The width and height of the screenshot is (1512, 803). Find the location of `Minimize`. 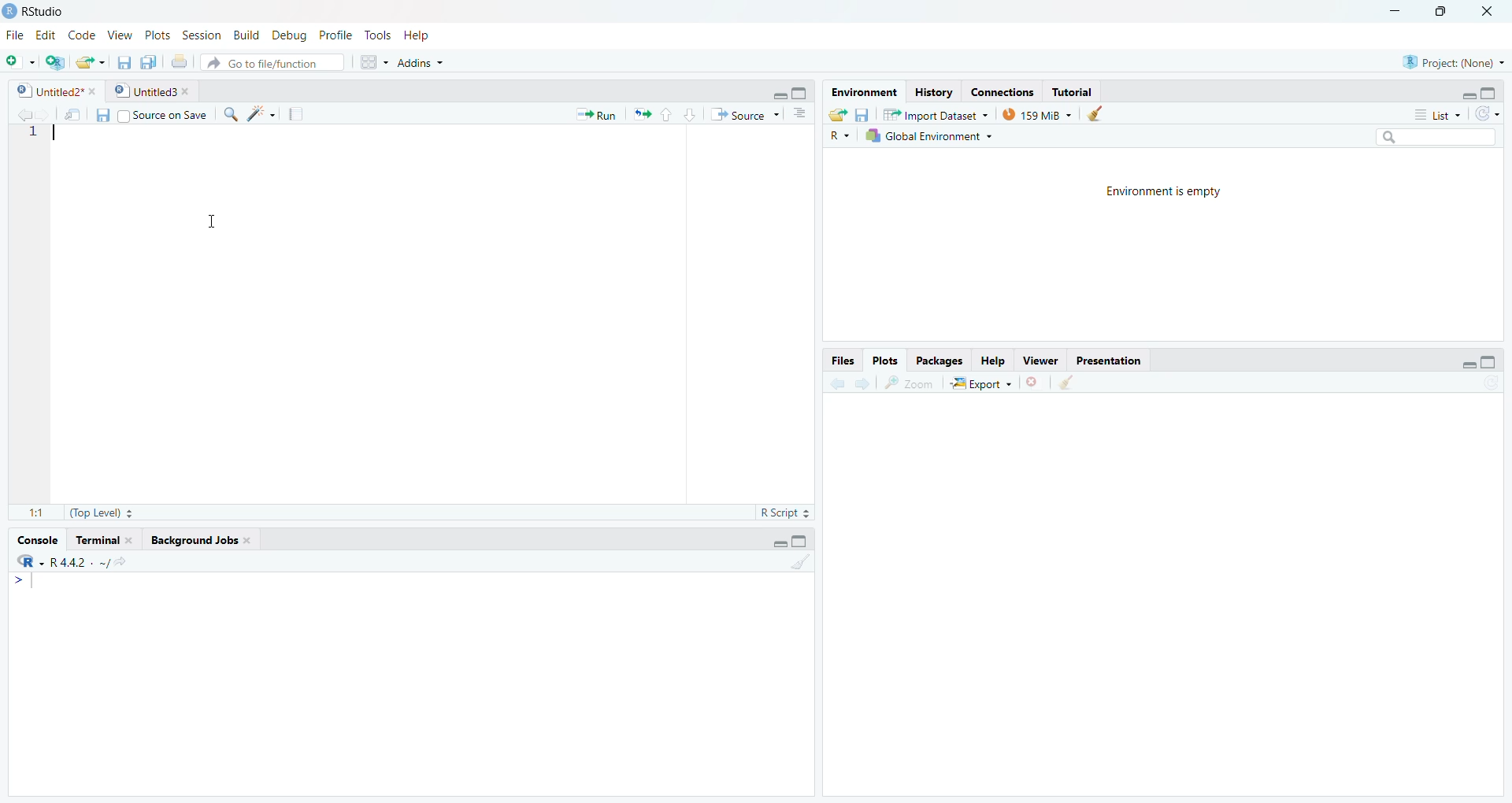

Minimize is located at coordinates (1467, 92).